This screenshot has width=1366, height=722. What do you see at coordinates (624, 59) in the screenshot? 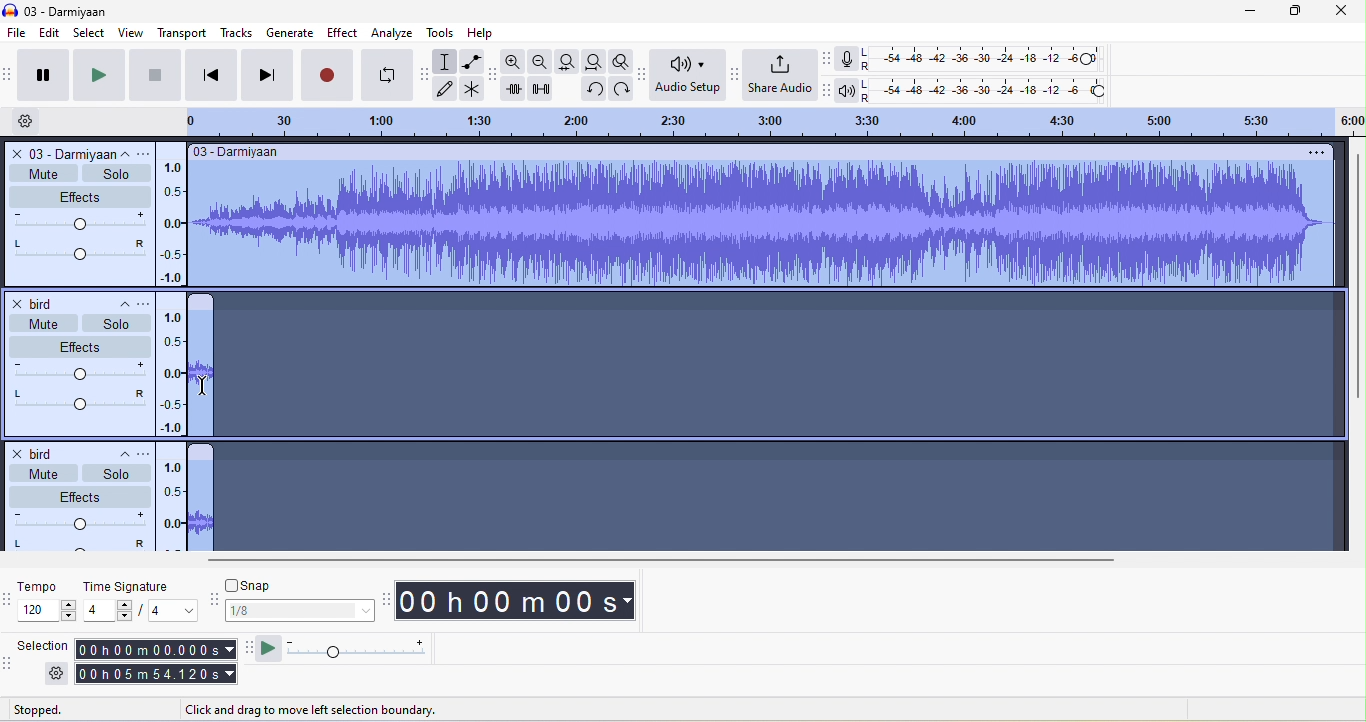
I see `zoom toggle` at bounding box center [624, 59].